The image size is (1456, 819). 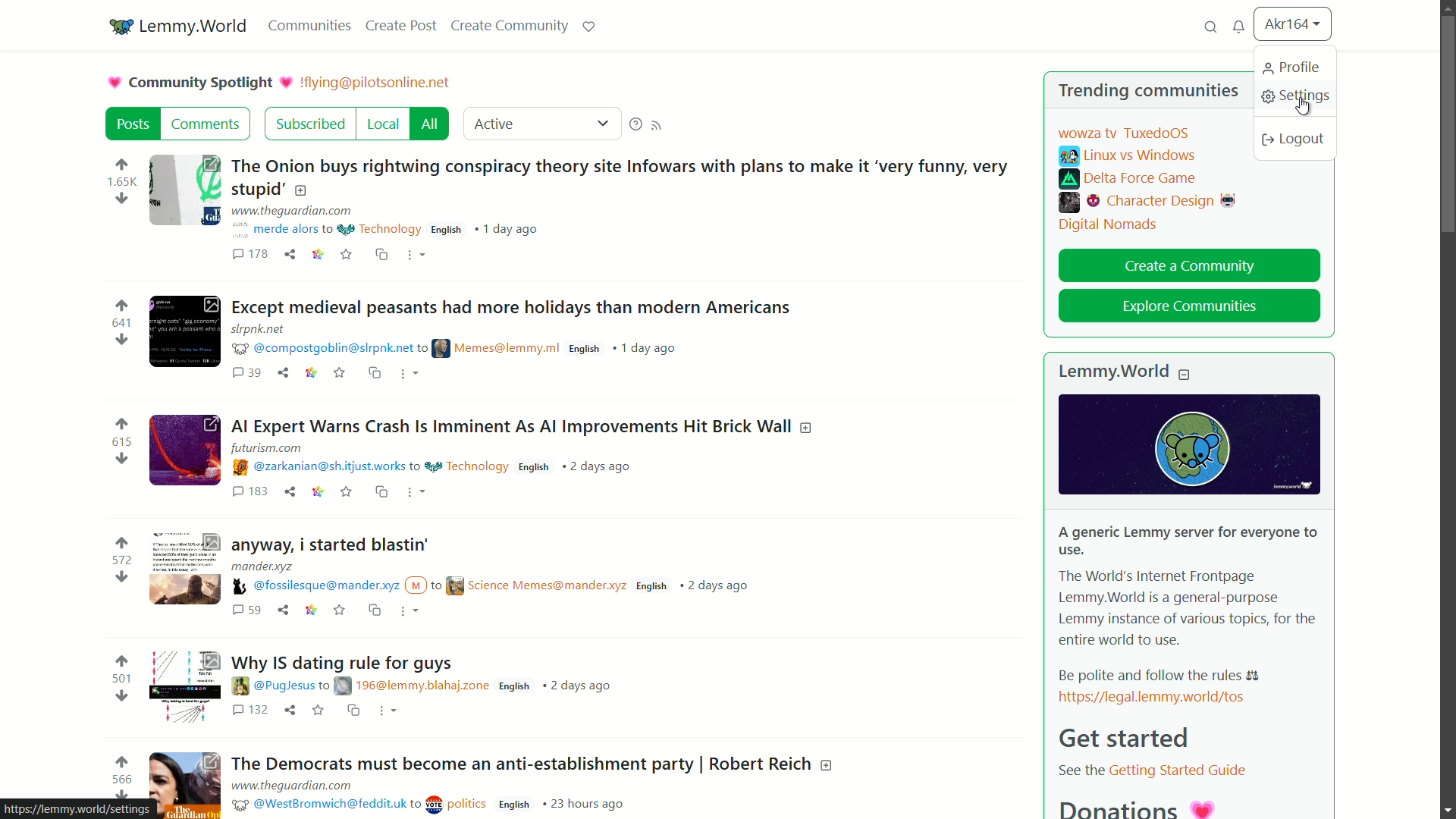 I want to click on vertical scroll bar, so click(x=1442, y=124).